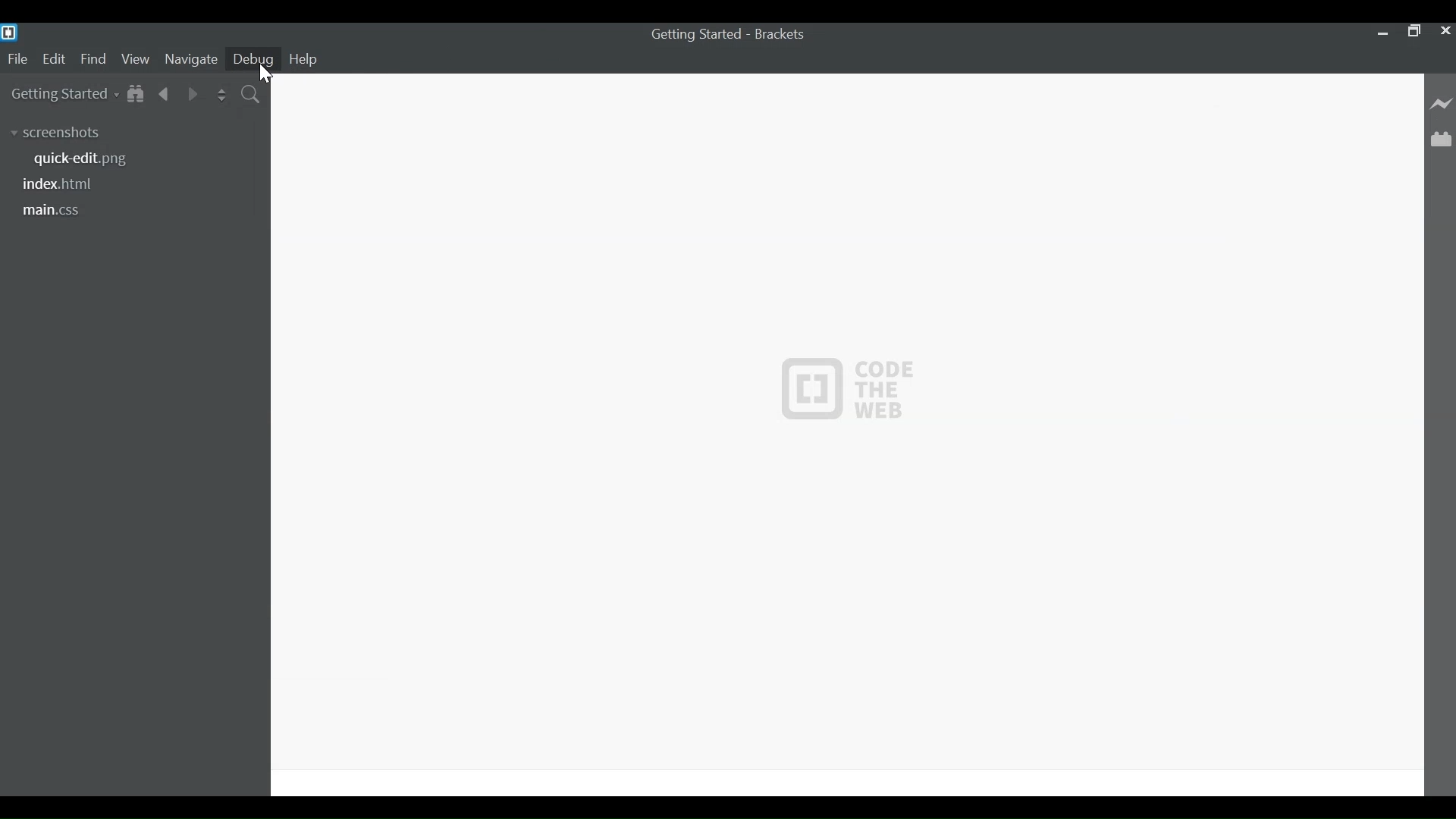 This screenshot has height=819, width=1456. Describe the element at coordinates (136, 58) in the screenshot. I see `View` at that location.